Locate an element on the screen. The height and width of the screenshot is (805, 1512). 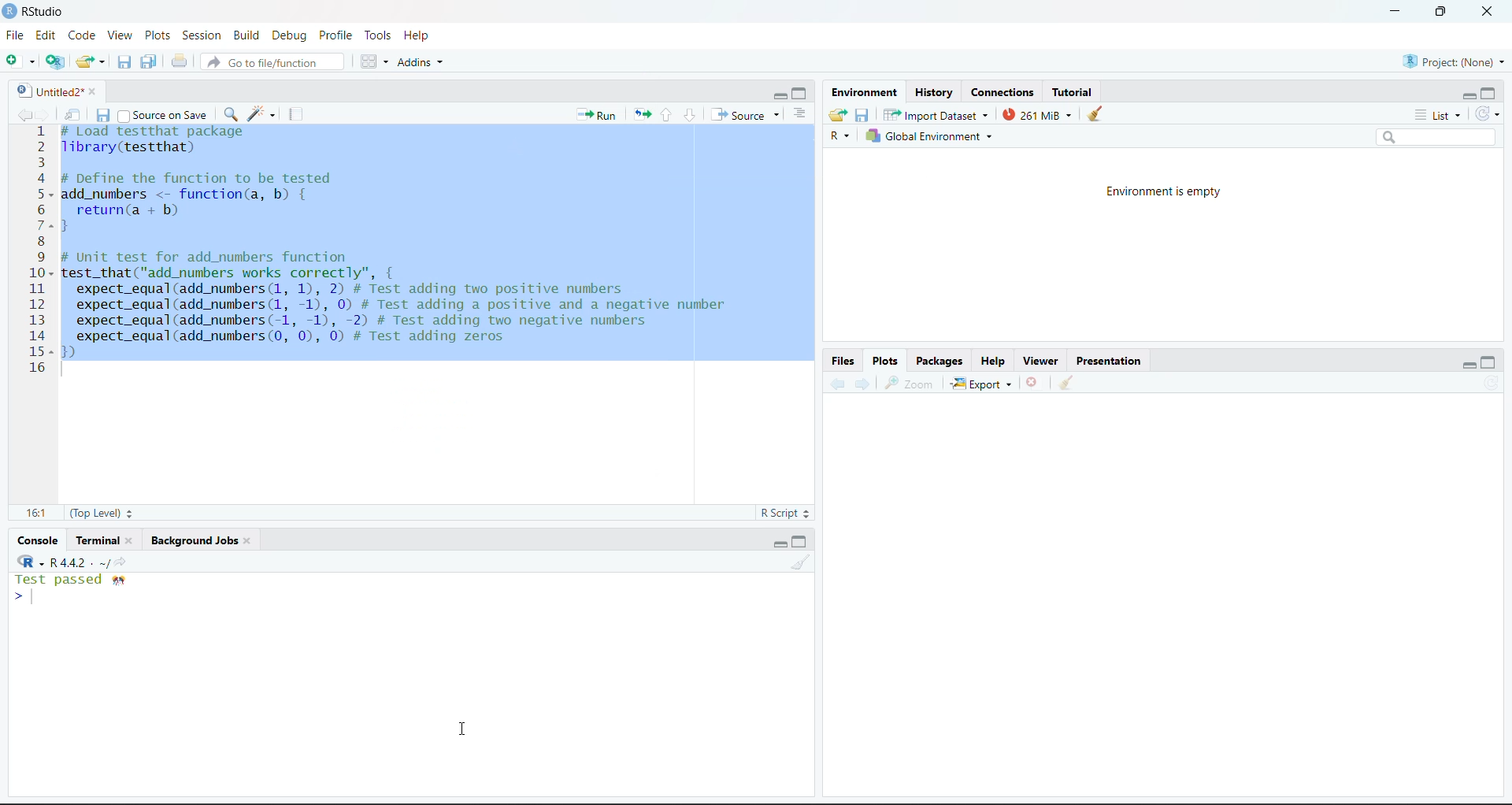
Code is located at coordinates (81, 35).